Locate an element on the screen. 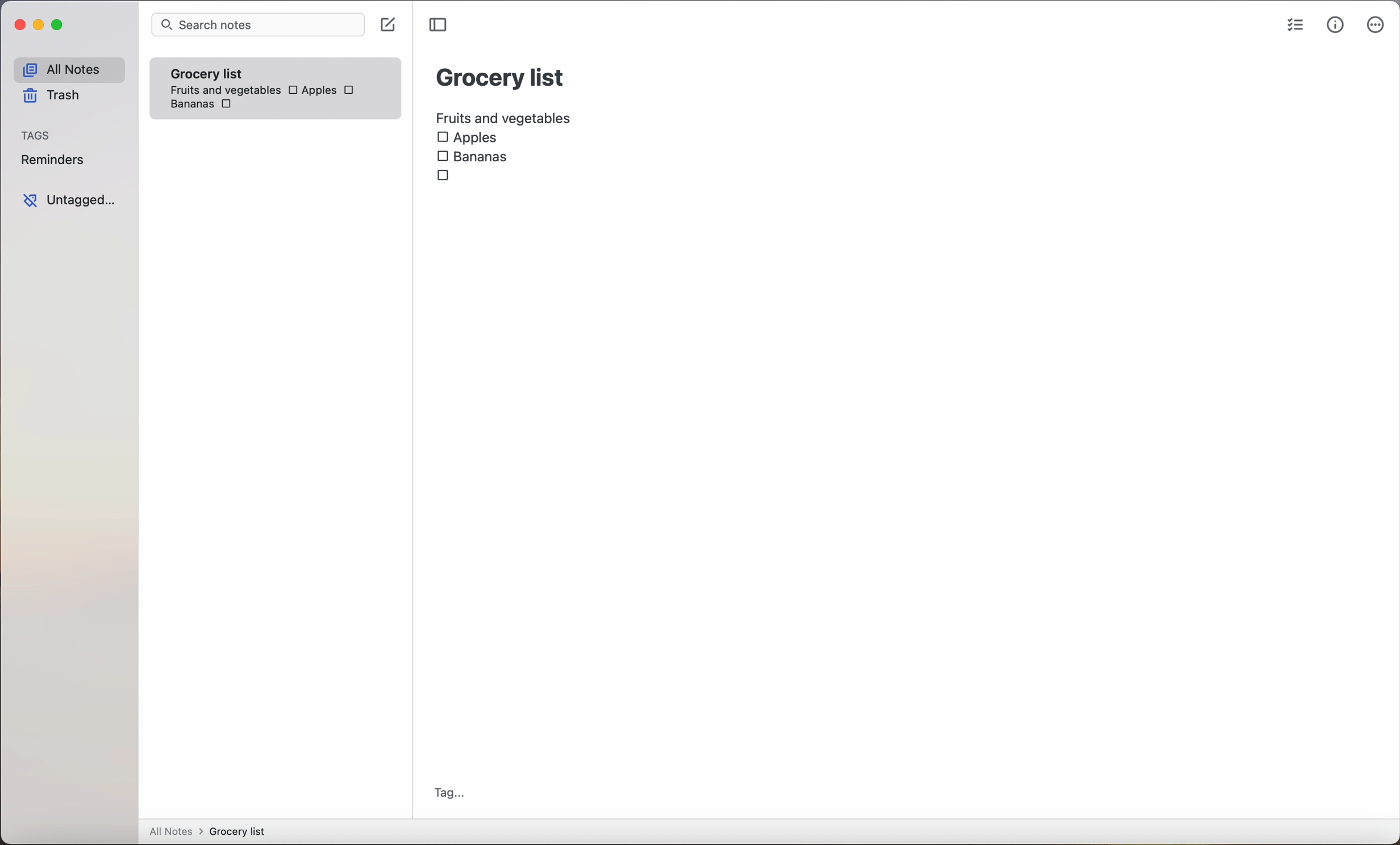 This screenshot has width=1400, height=845. click on create note is located at coordinates (390, 26).